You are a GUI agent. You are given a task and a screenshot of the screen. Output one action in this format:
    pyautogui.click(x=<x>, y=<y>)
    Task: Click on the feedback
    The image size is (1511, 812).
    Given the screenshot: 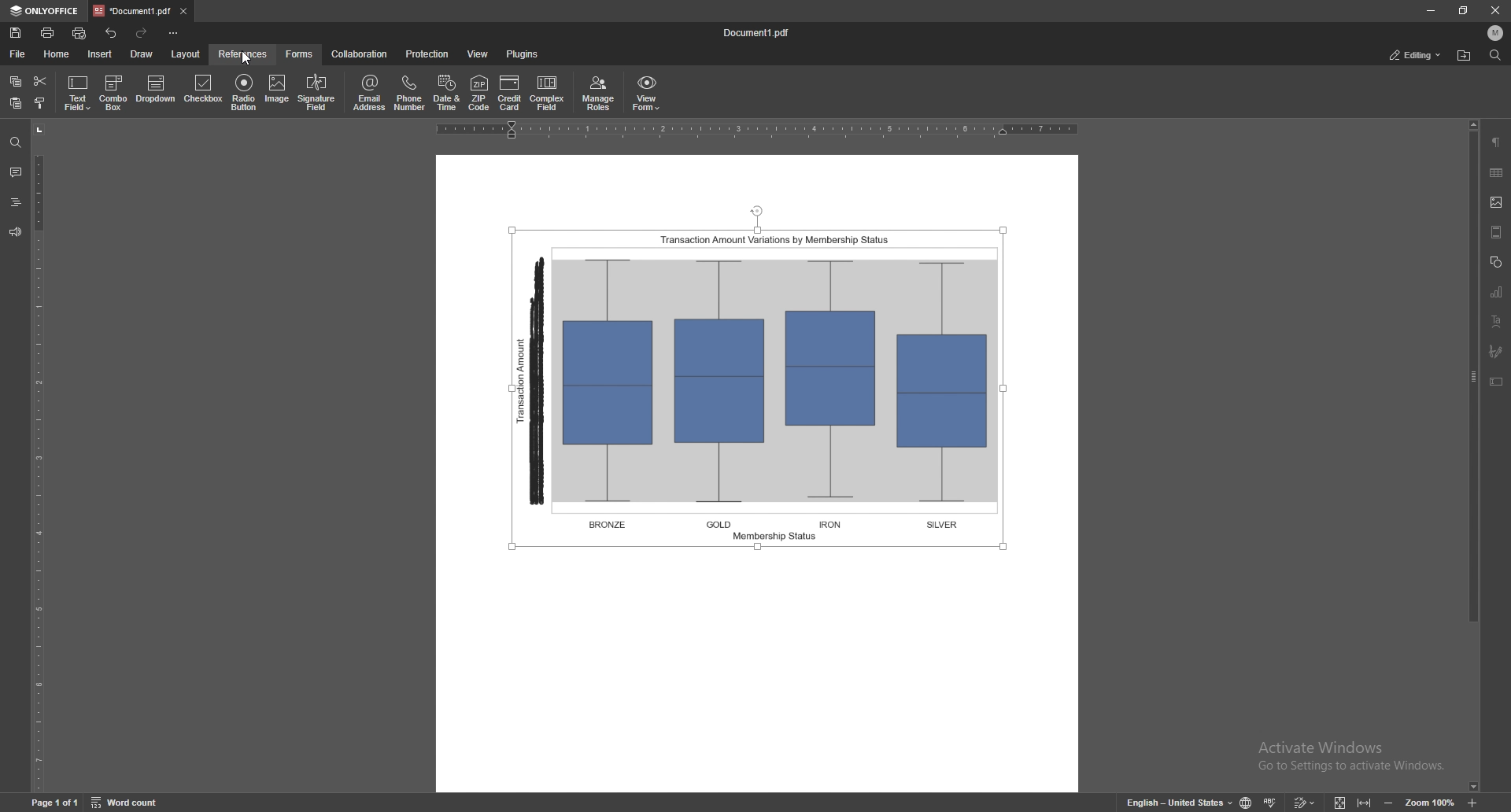 What is the action you would take?
    pyautogui.click(x=14, y=232)
    